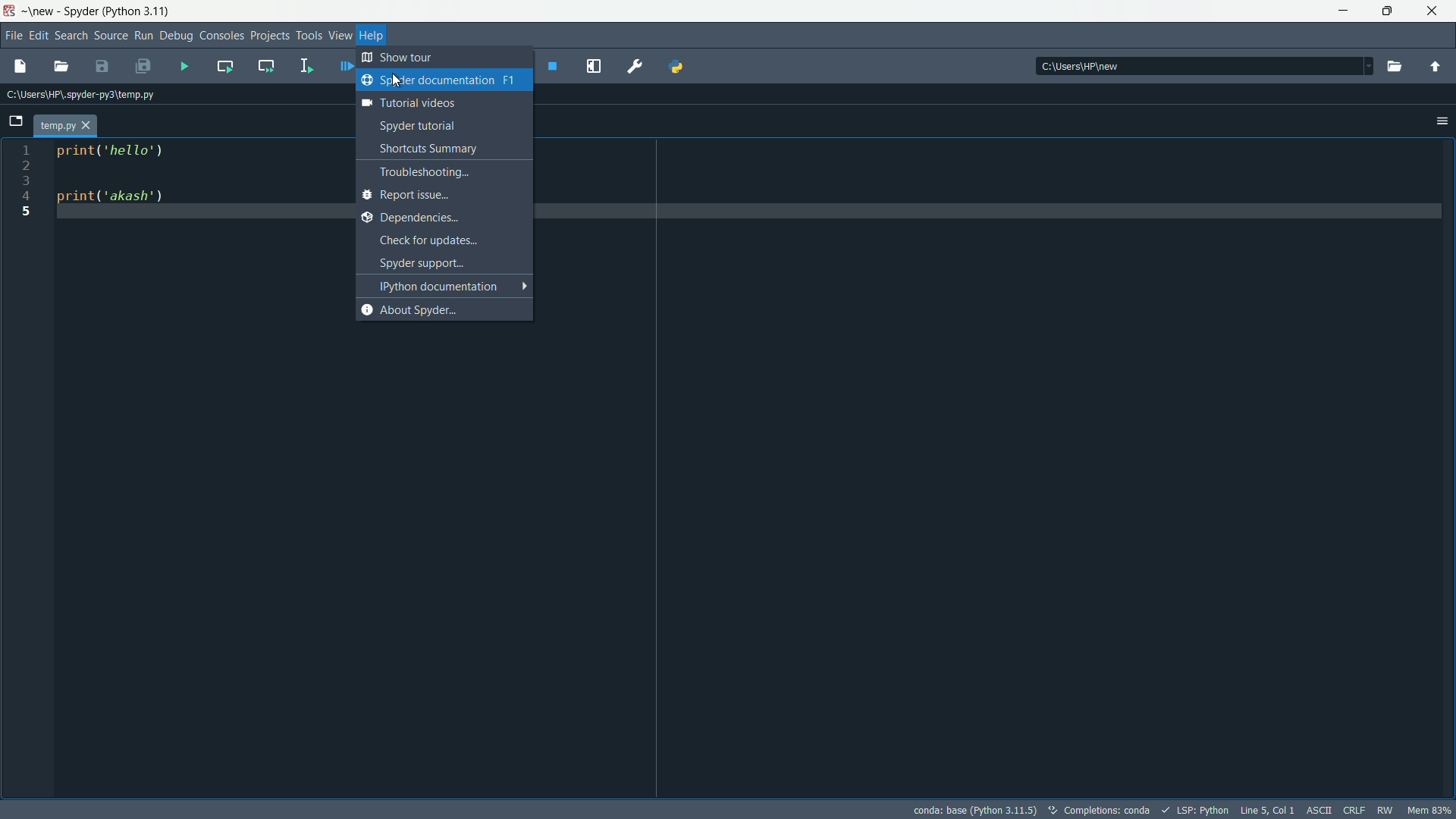  I want to click on Completions: conda, so click(1100, 811).